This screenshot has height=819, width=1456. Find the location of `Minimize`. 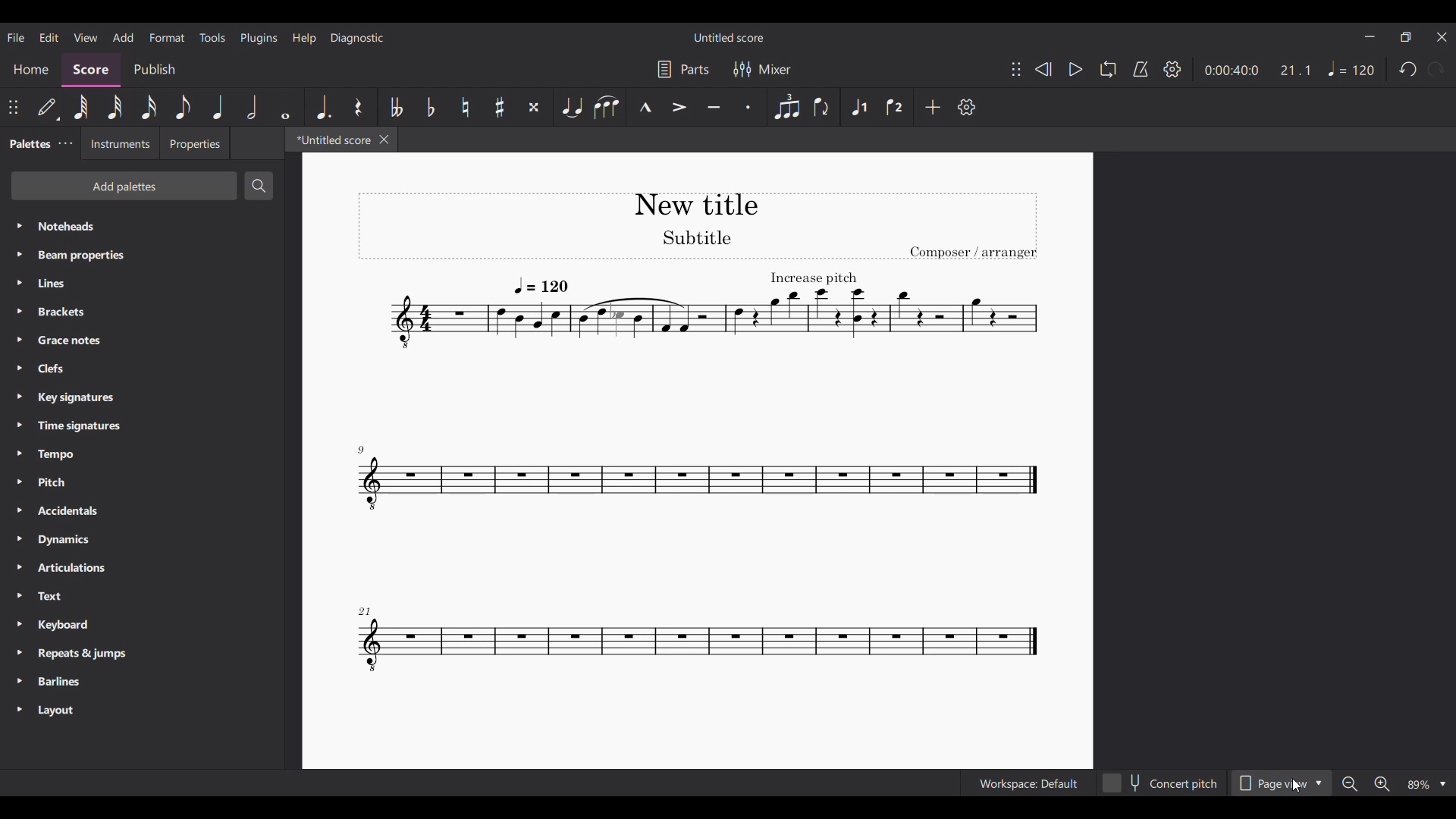

Minimize is located at coordinates (1370, 36).